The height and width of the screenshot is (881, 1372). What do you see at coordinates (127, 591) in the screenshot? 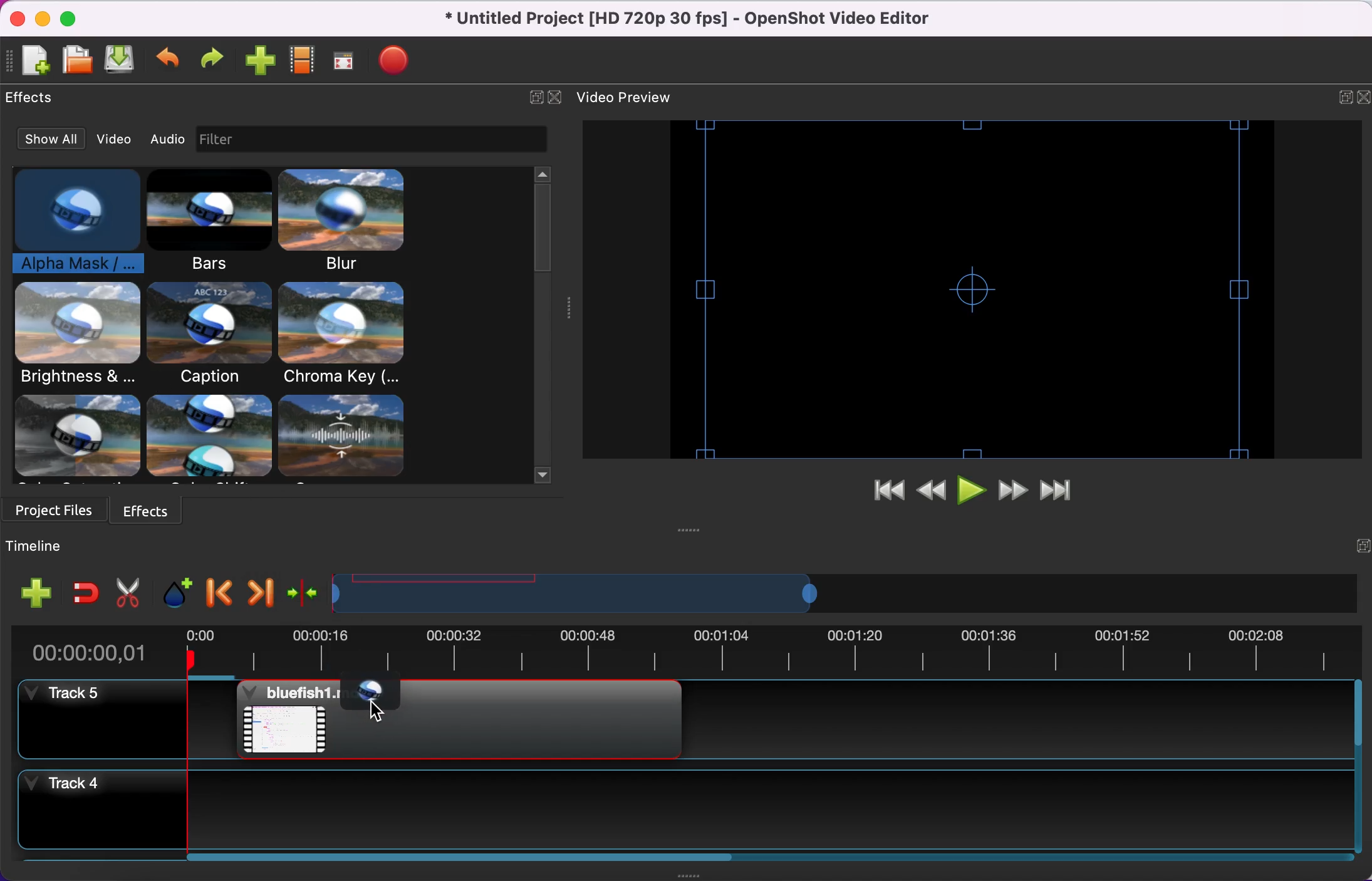
I see `cut` at bounding box center [127, 591].